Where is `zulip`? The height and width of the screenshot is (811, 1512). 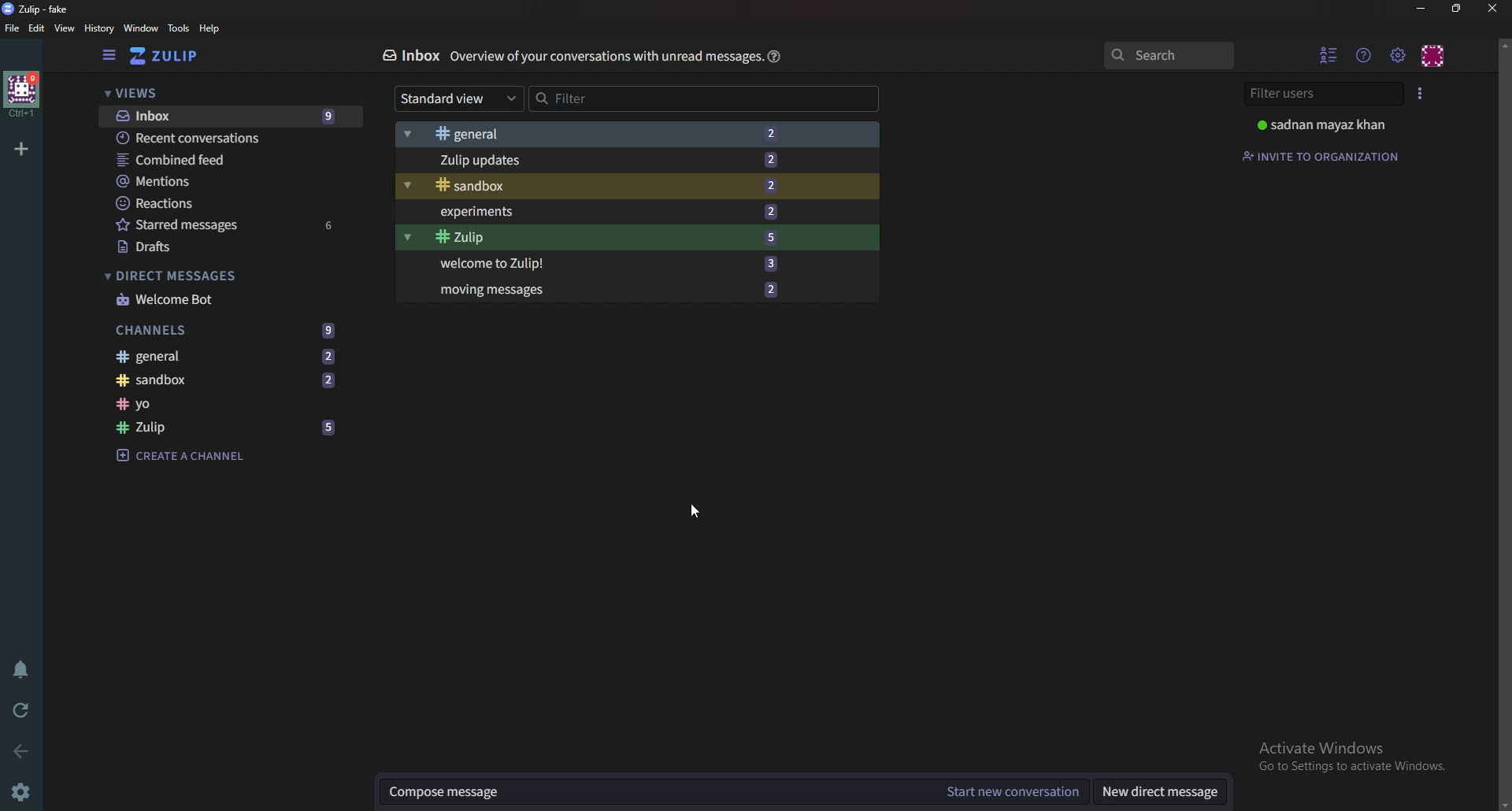
zulip is located at coordinates (233, 428).